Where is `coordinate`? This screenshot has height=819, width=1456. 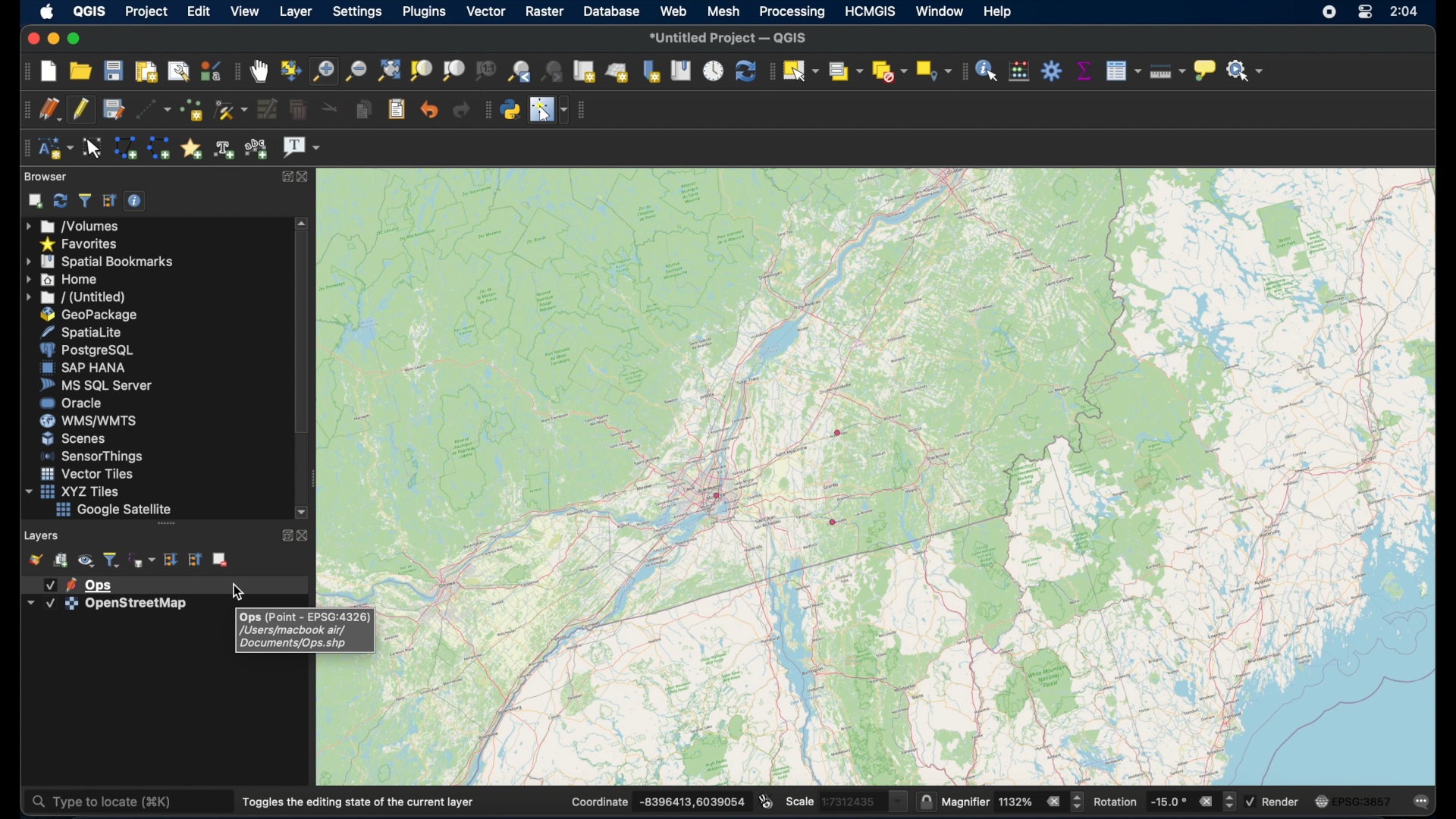 coordinate is located at coordinates (659, 802).